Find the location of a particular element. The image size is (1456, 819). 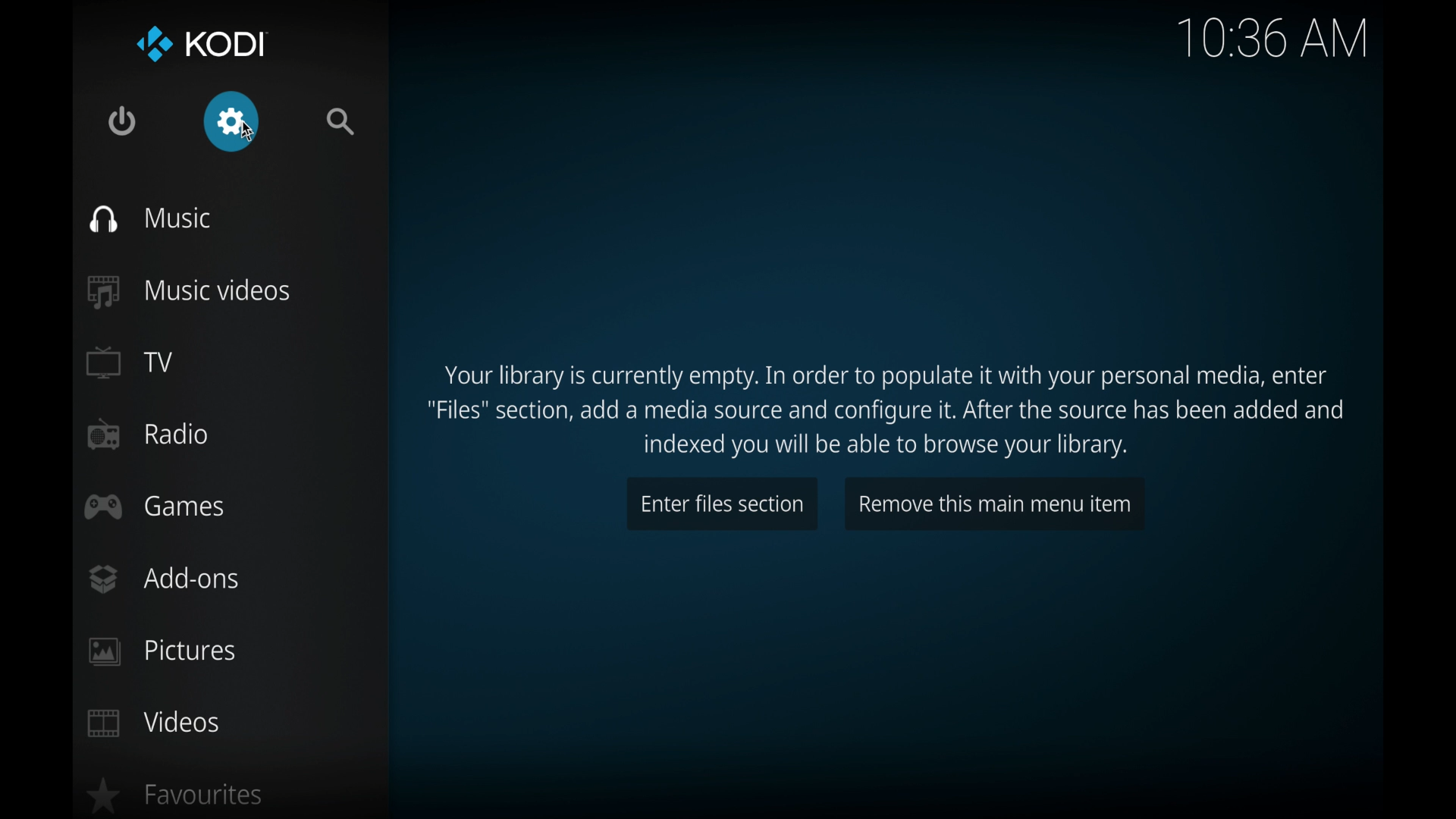

search is located at coordinates (343, 122).